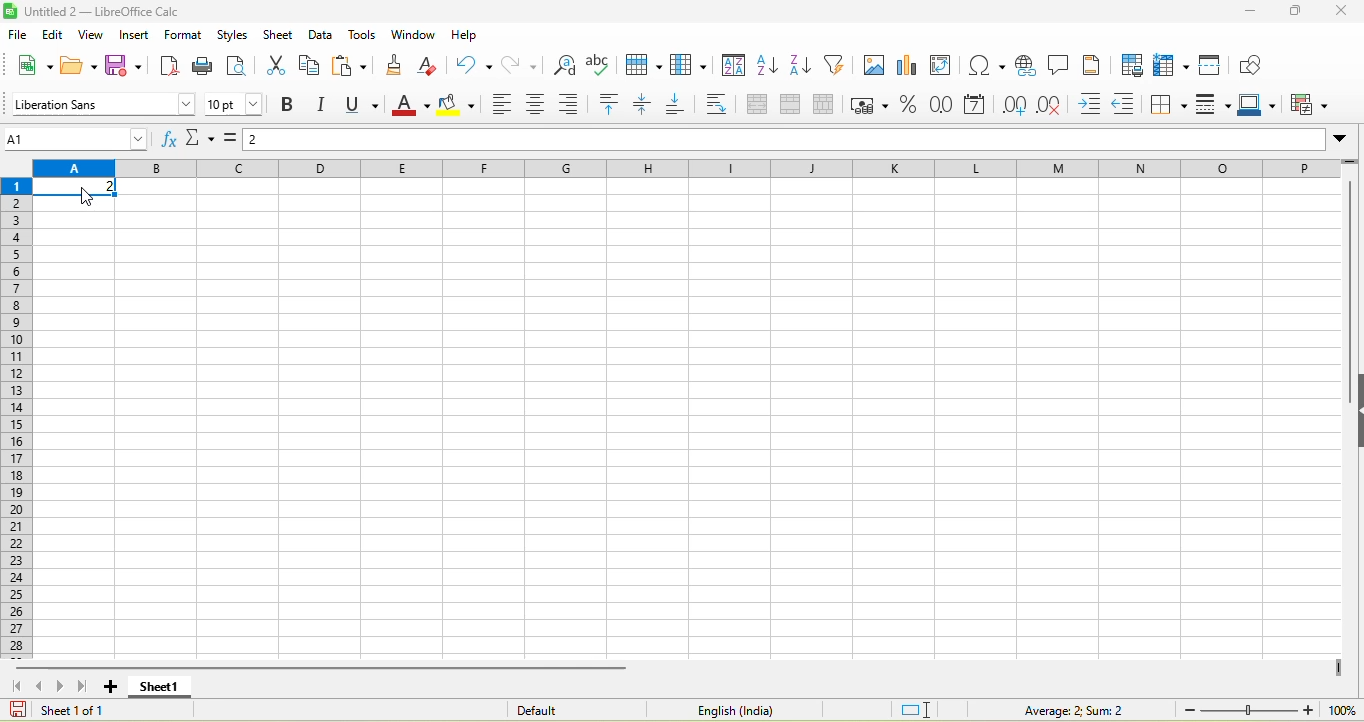  Describe the element at coordinates (112, 687) in the screenshot. I see `add new sheet` at that location.